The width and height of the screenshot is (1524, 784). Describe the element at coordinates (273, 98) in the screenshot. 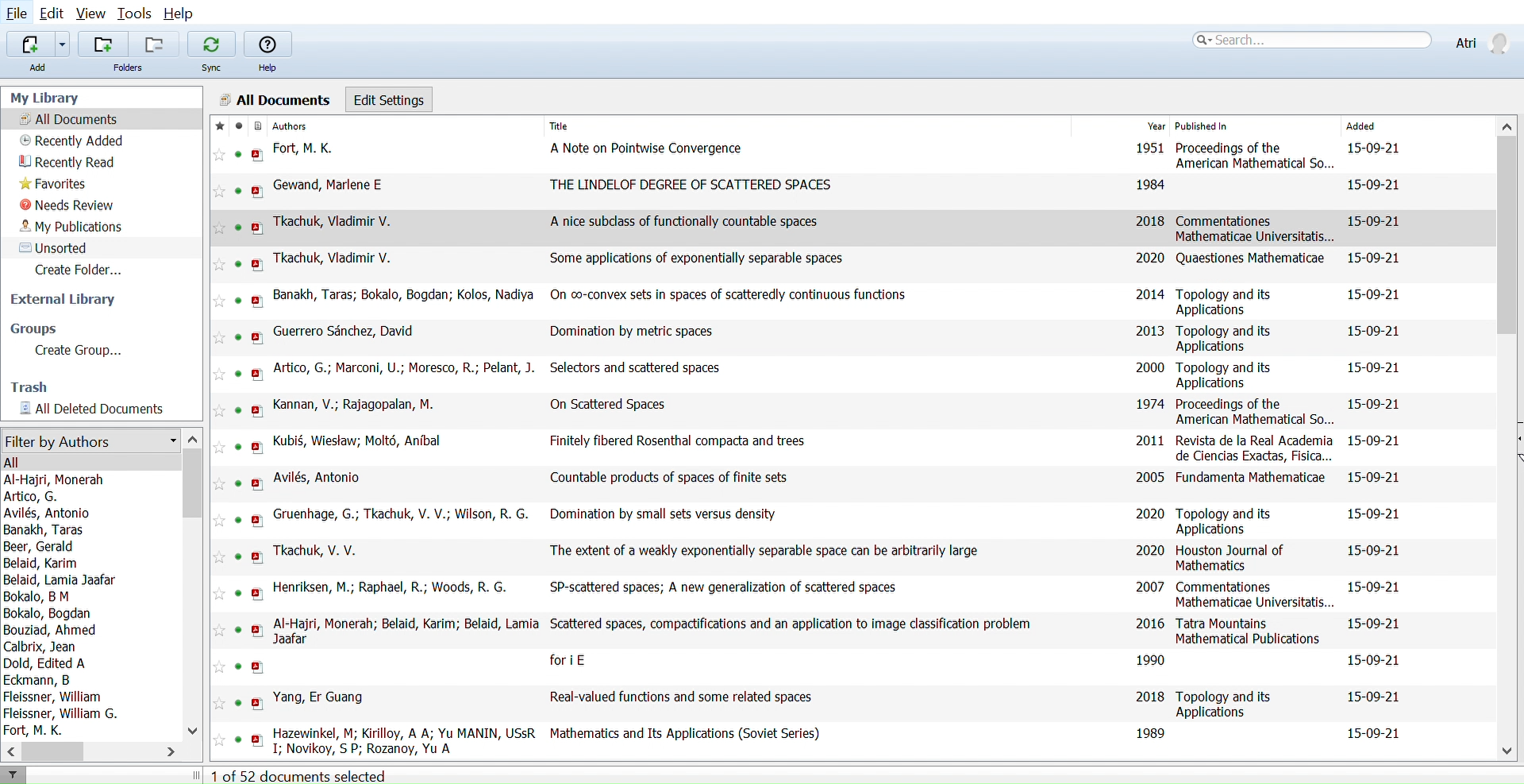

I see `All Documents` at that location.